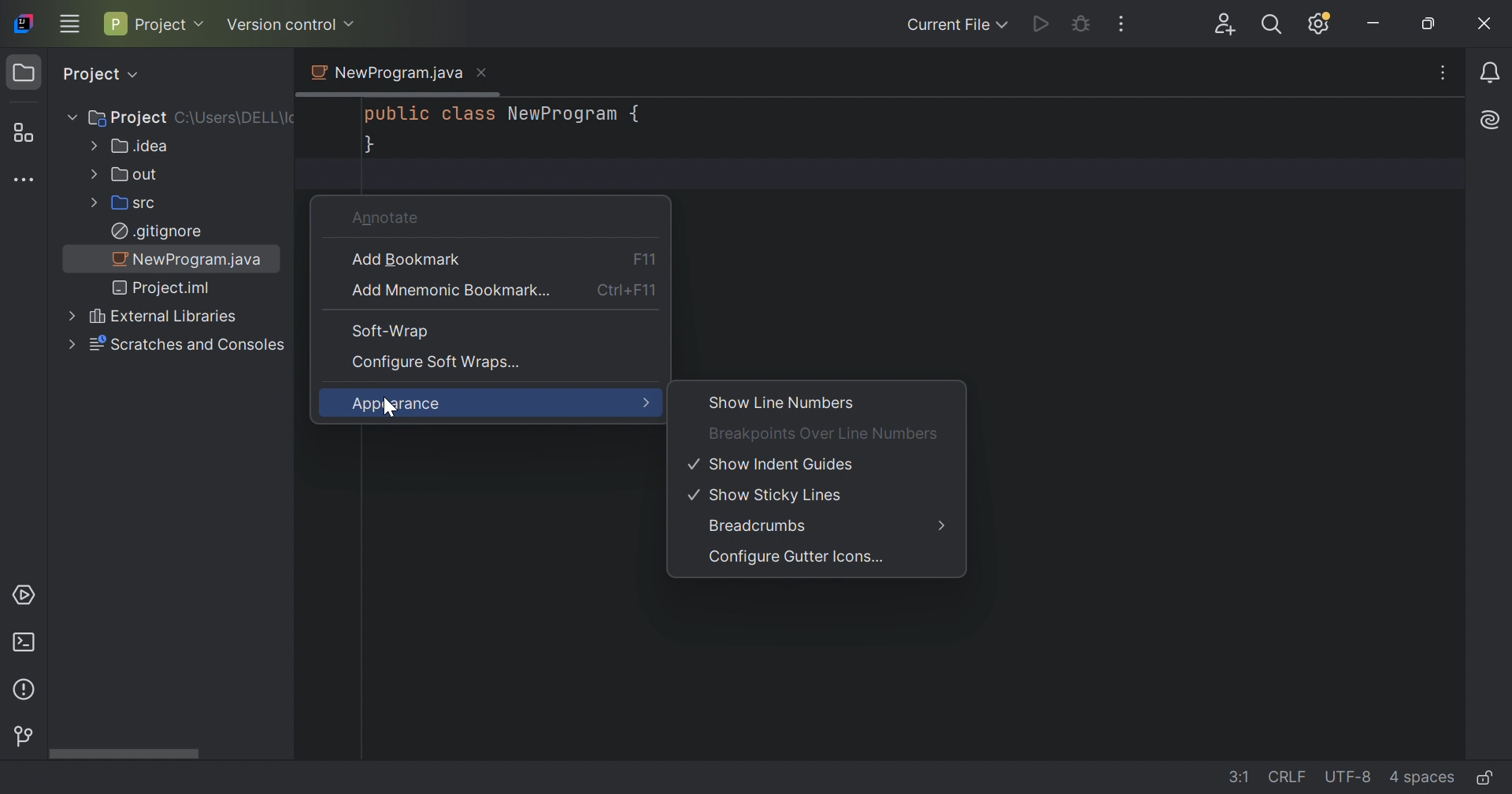 The height and width of the screenshot is (794, 1512). What do you see at coordinates (796, 560) in the screenshot?
I see `Configure Gutter Icons...` at bounding box center [796, 560].